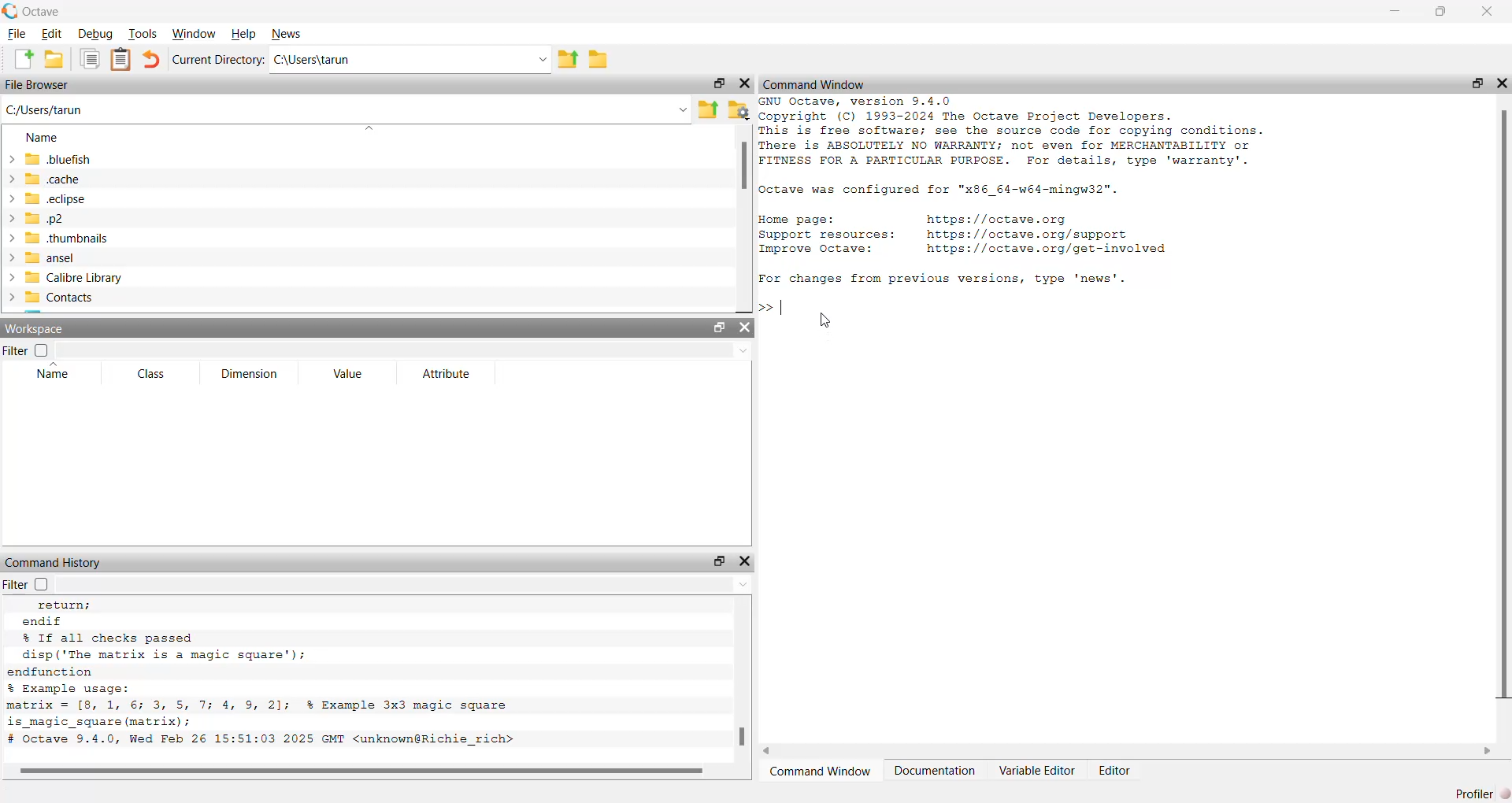 The height and width of the screenshot is (803, 1512). Describe the element at coordinates (719, 83) in the screenshot. I see `maximize` at that location.